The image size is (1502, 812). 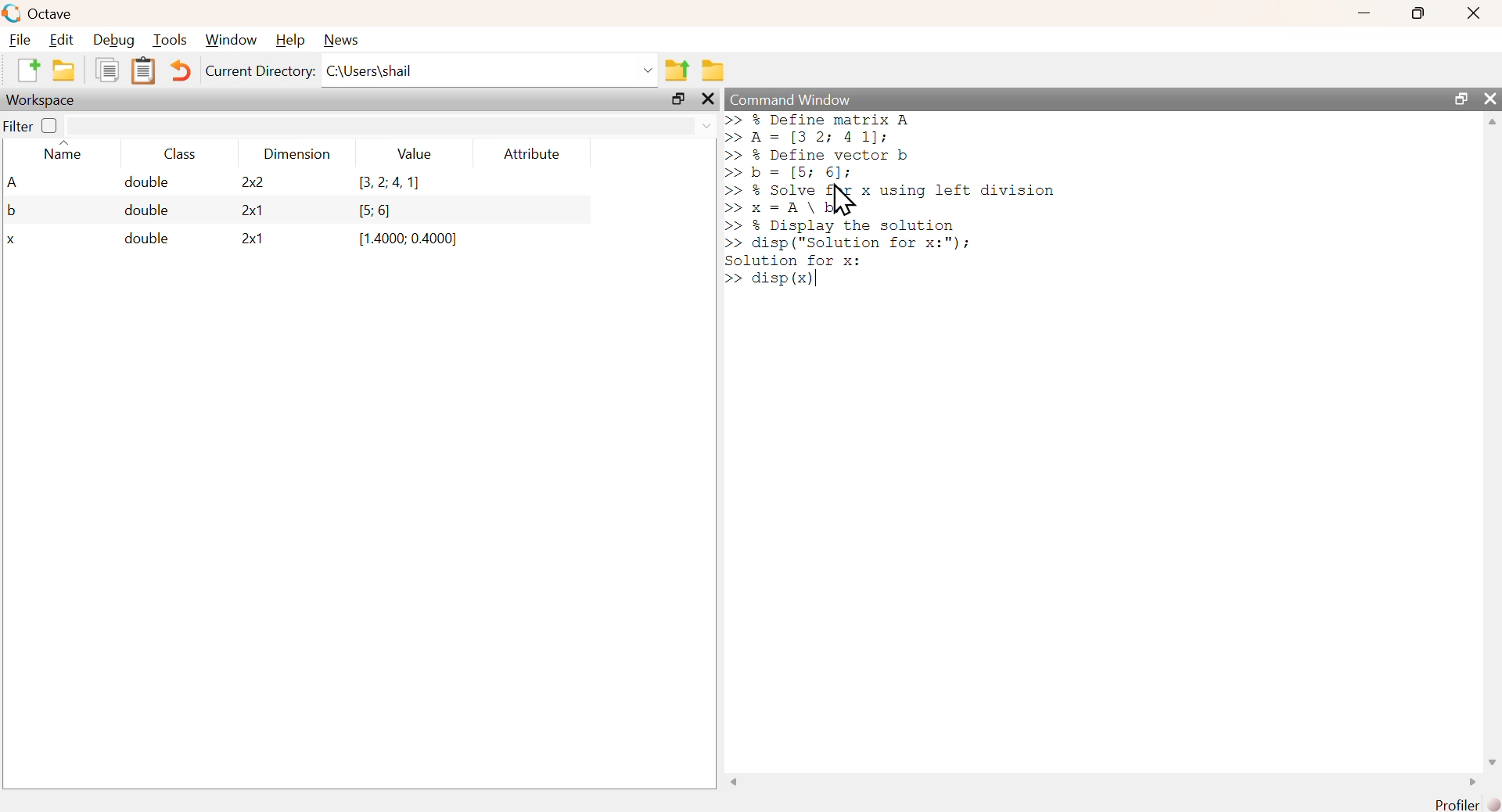 I want to click on copy, so click(x=106, y=73).